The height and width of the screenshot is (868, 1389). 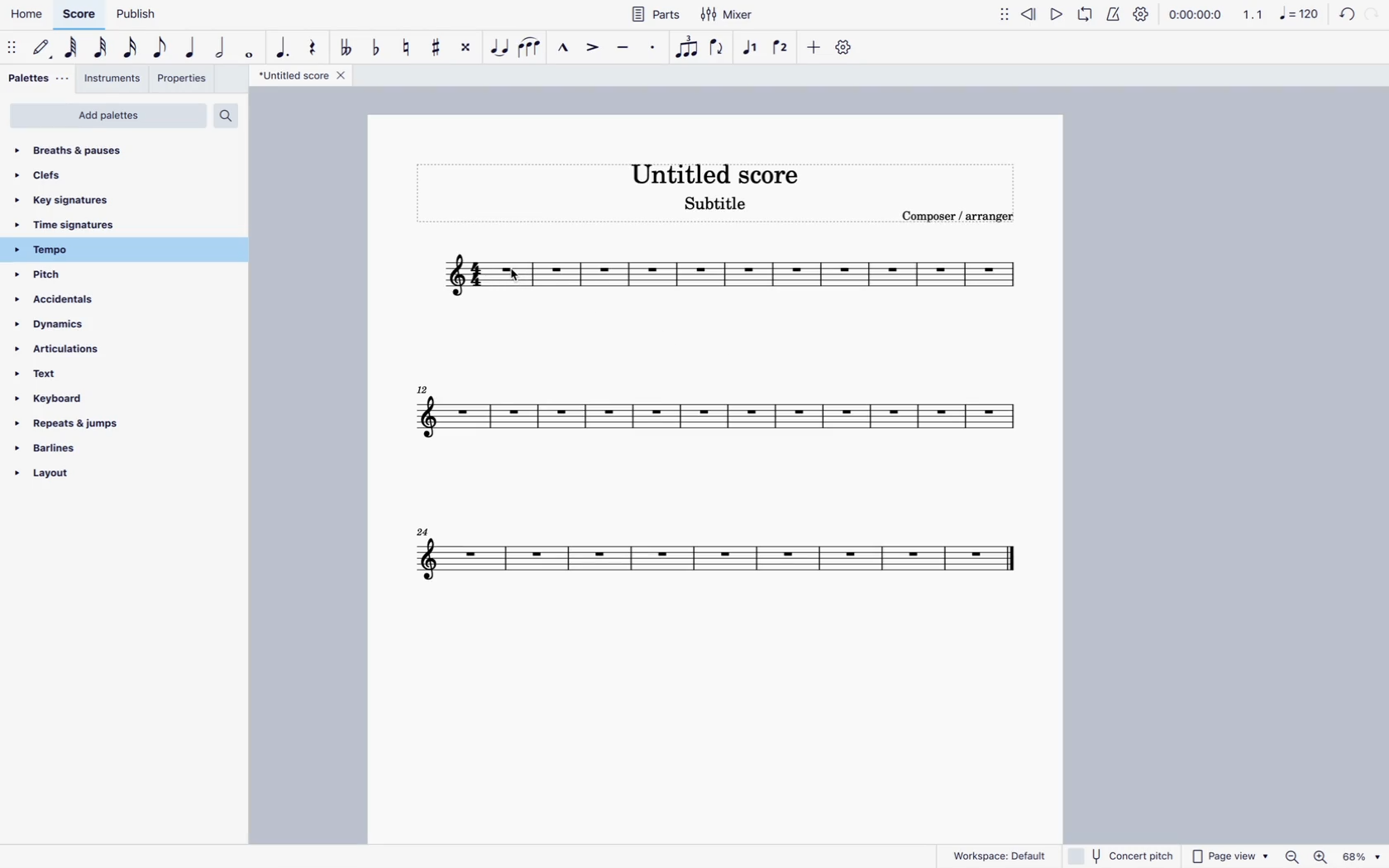 What do you see at coordinates (223, 49) in the screenshot?
I see `half note` at bounding box center [223, 49].